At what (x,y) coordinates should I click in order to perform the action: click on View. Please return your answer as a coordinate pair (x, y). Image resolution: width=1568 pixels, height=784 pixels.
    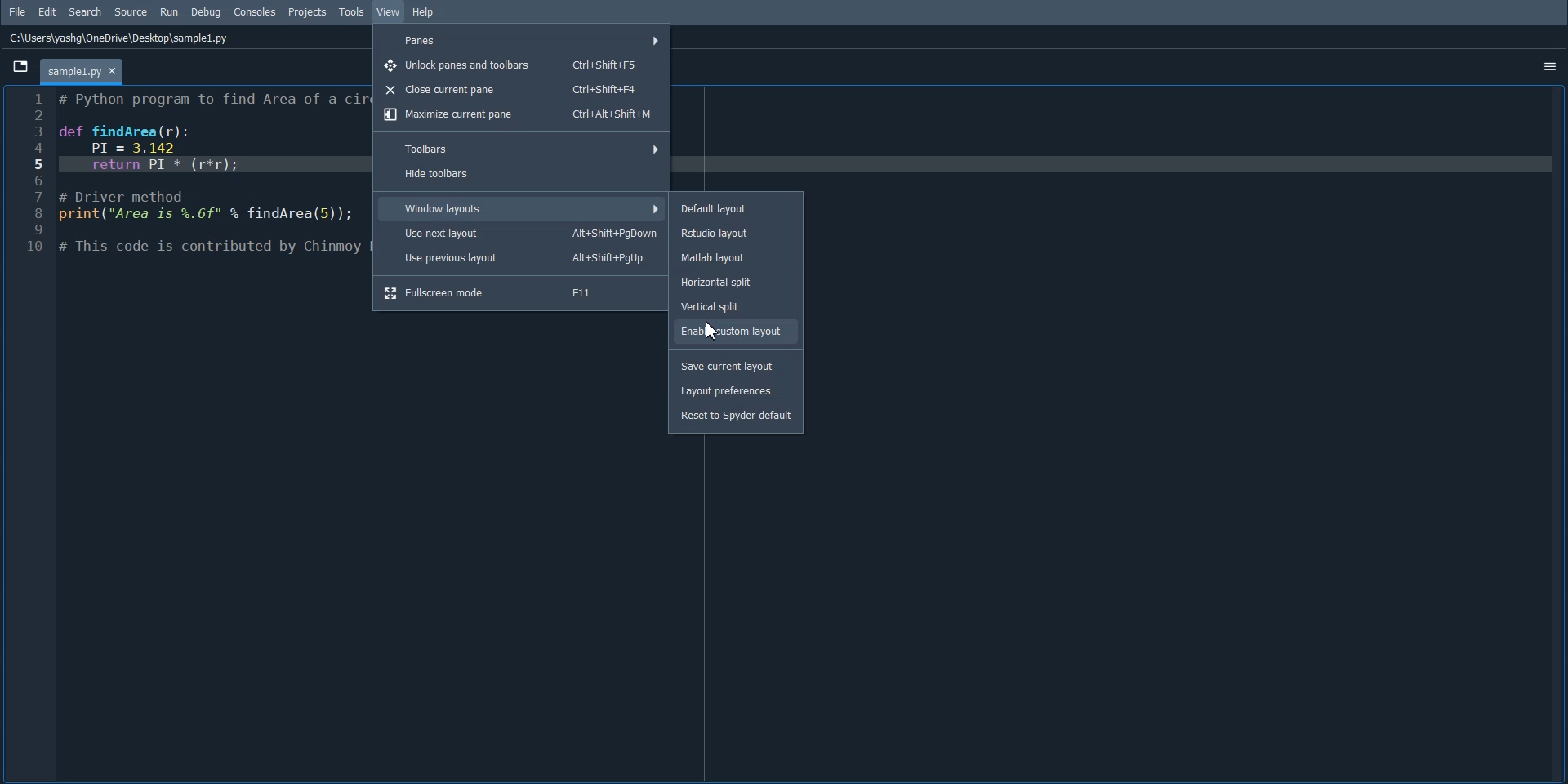
    Looking at the image, I should click on (389, 11).